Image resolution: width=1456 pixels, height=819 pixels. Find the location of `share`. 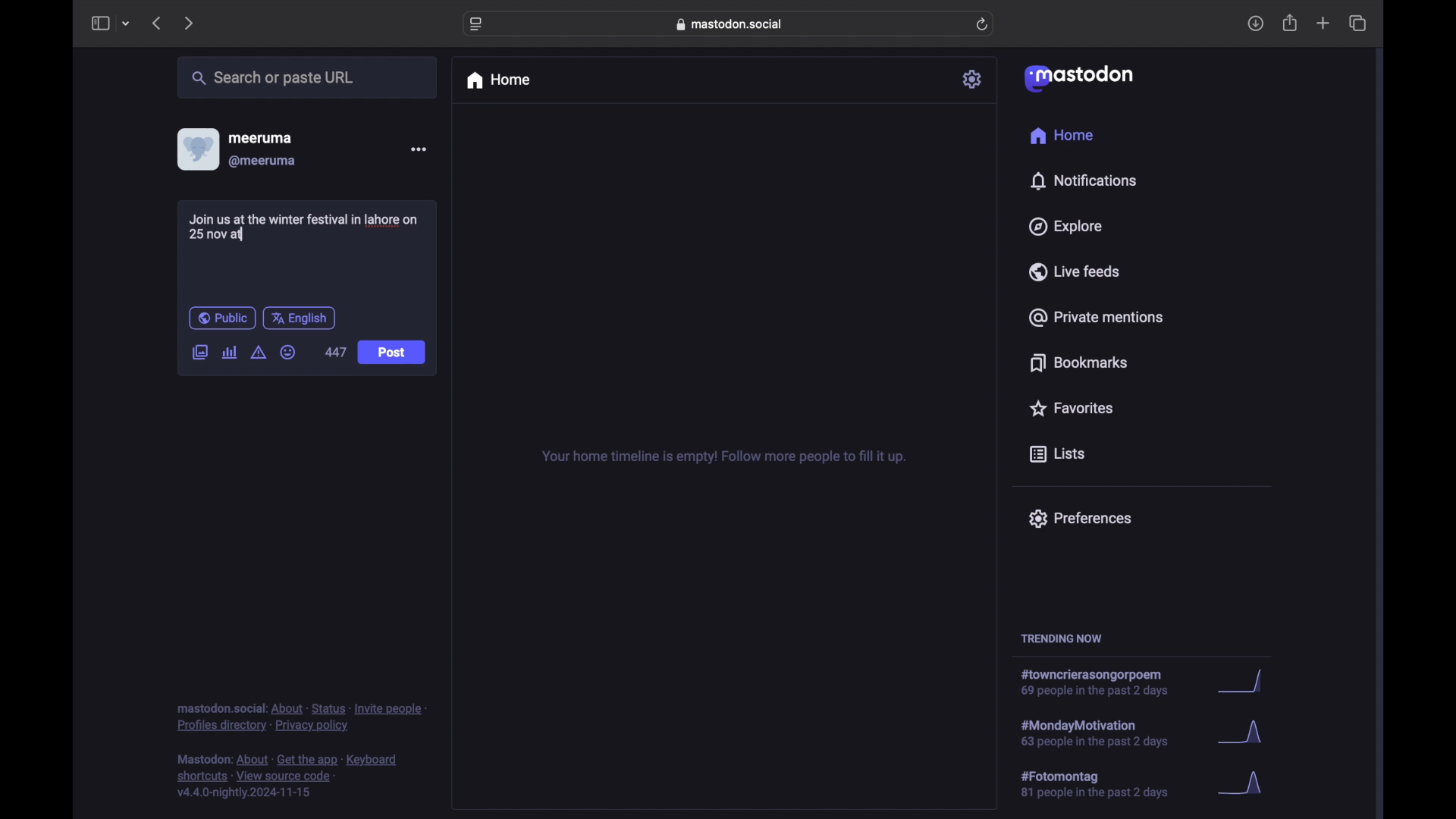

share is located at coordinates (1291, 24).